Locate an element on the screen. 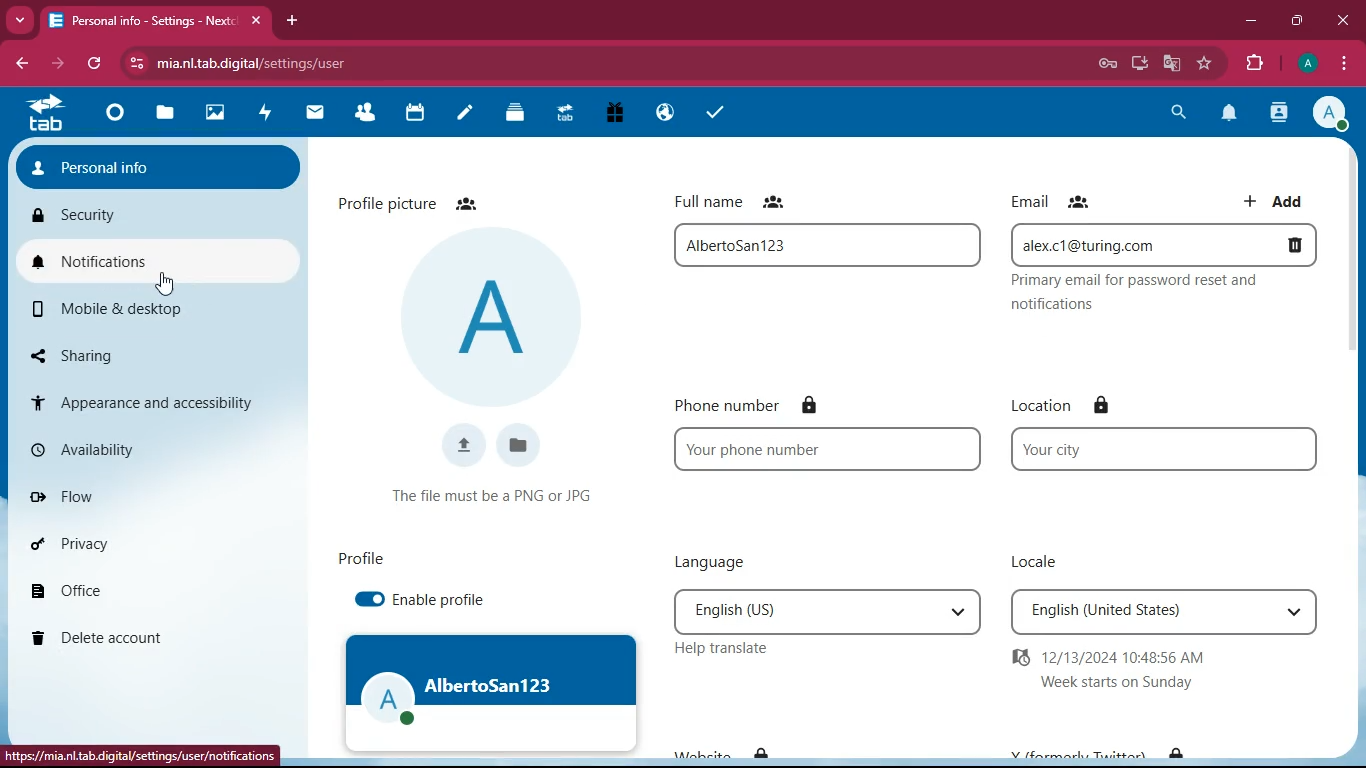 This screenshot has width=1366, height=768. upload is located at coordinates (466, 445).